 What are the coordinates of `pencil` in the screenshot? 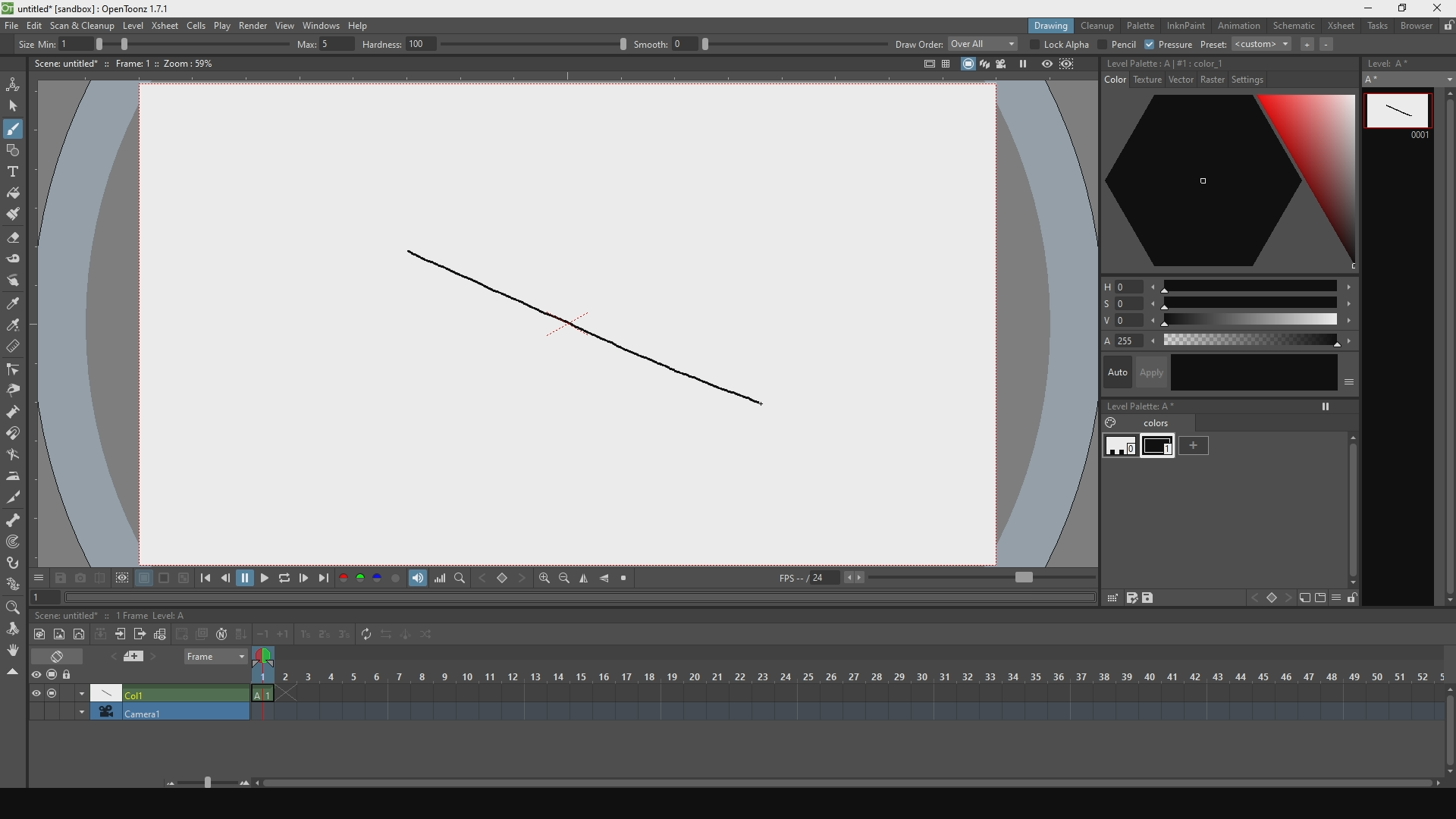 It's located at (1116, 45).